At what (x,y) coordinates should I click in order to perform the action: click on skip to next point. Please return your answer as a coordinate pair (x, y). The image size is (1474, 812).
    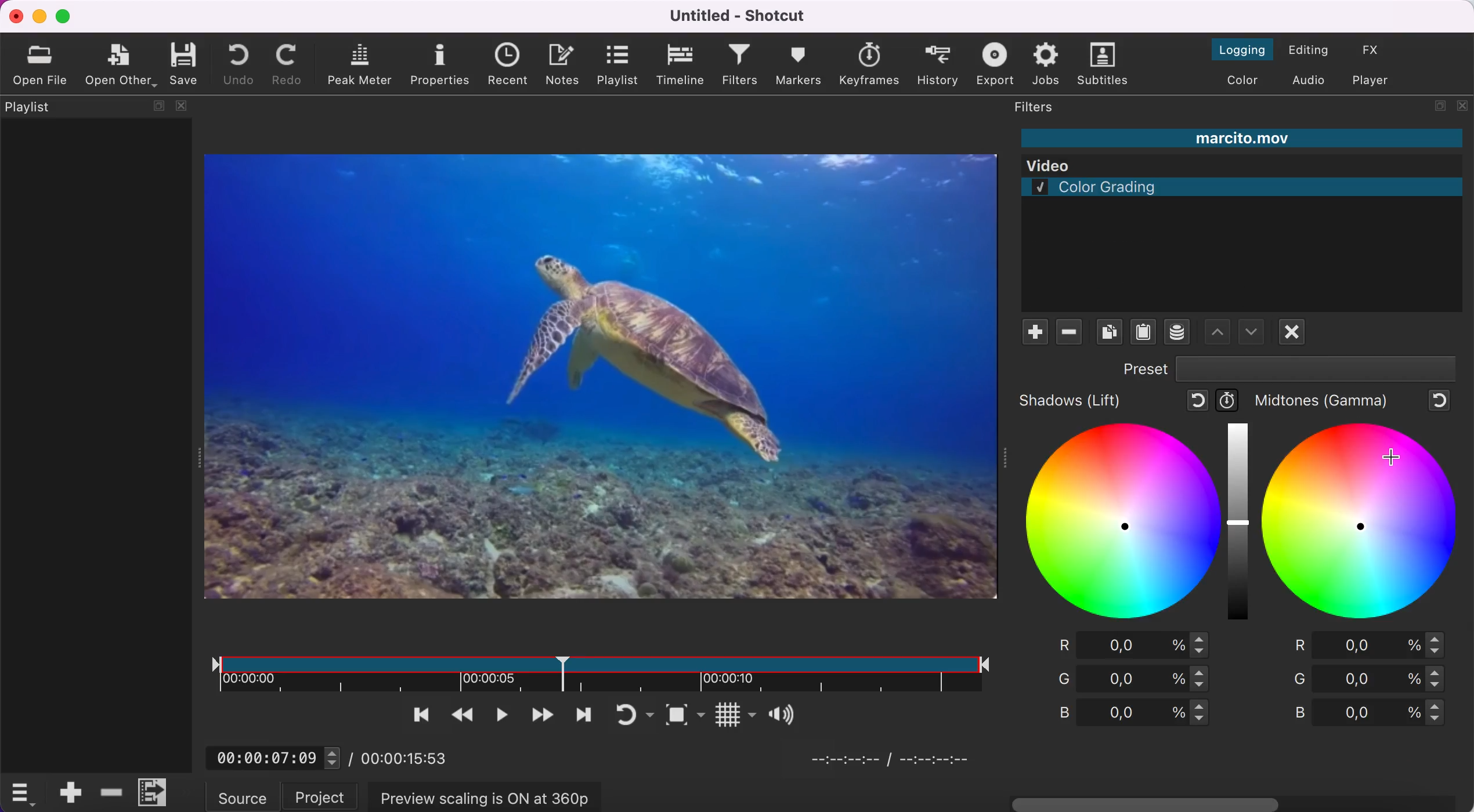
    Looking at the image, I should click on (581, 715).